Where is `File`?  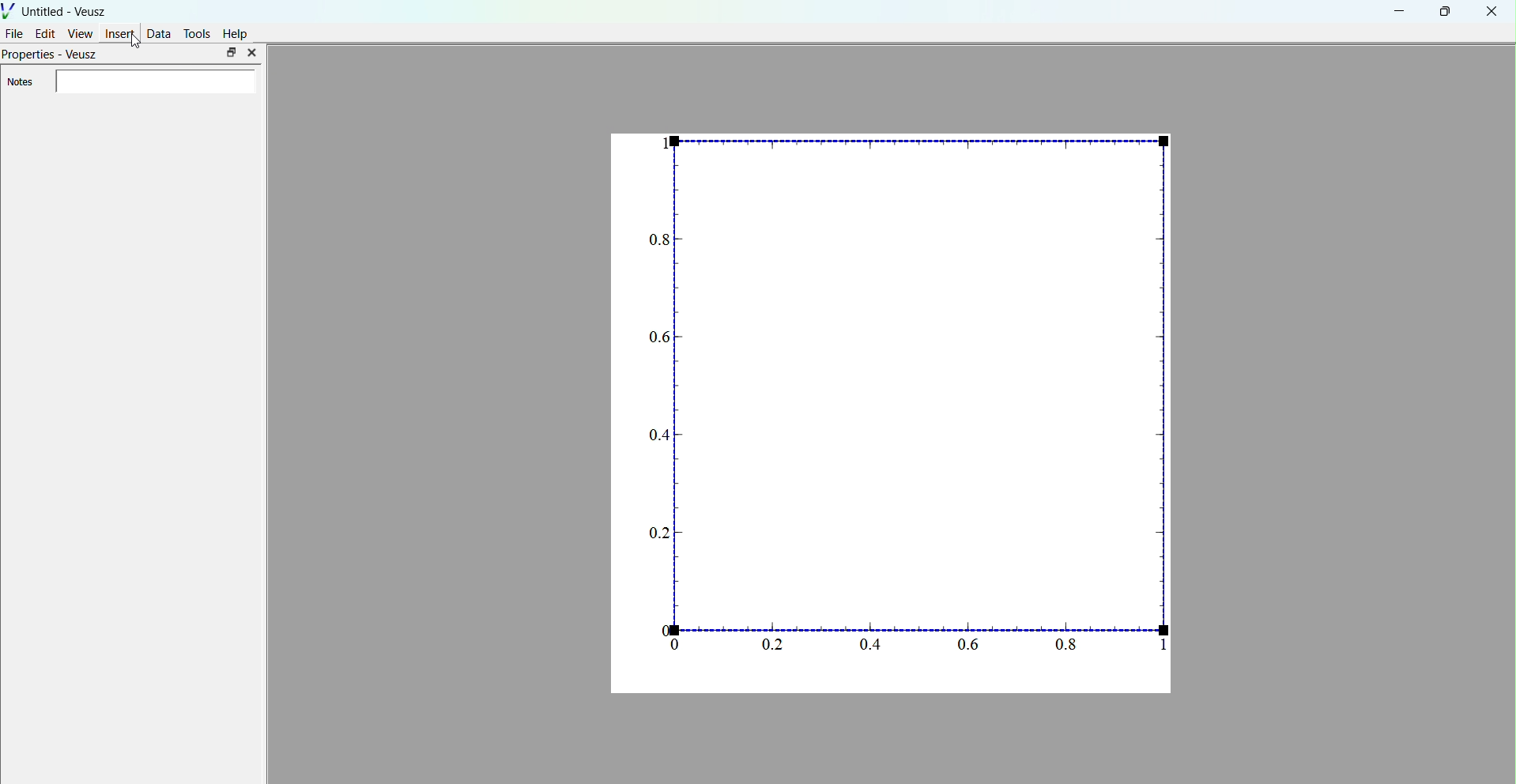
File is located at coordinates (15, 32).